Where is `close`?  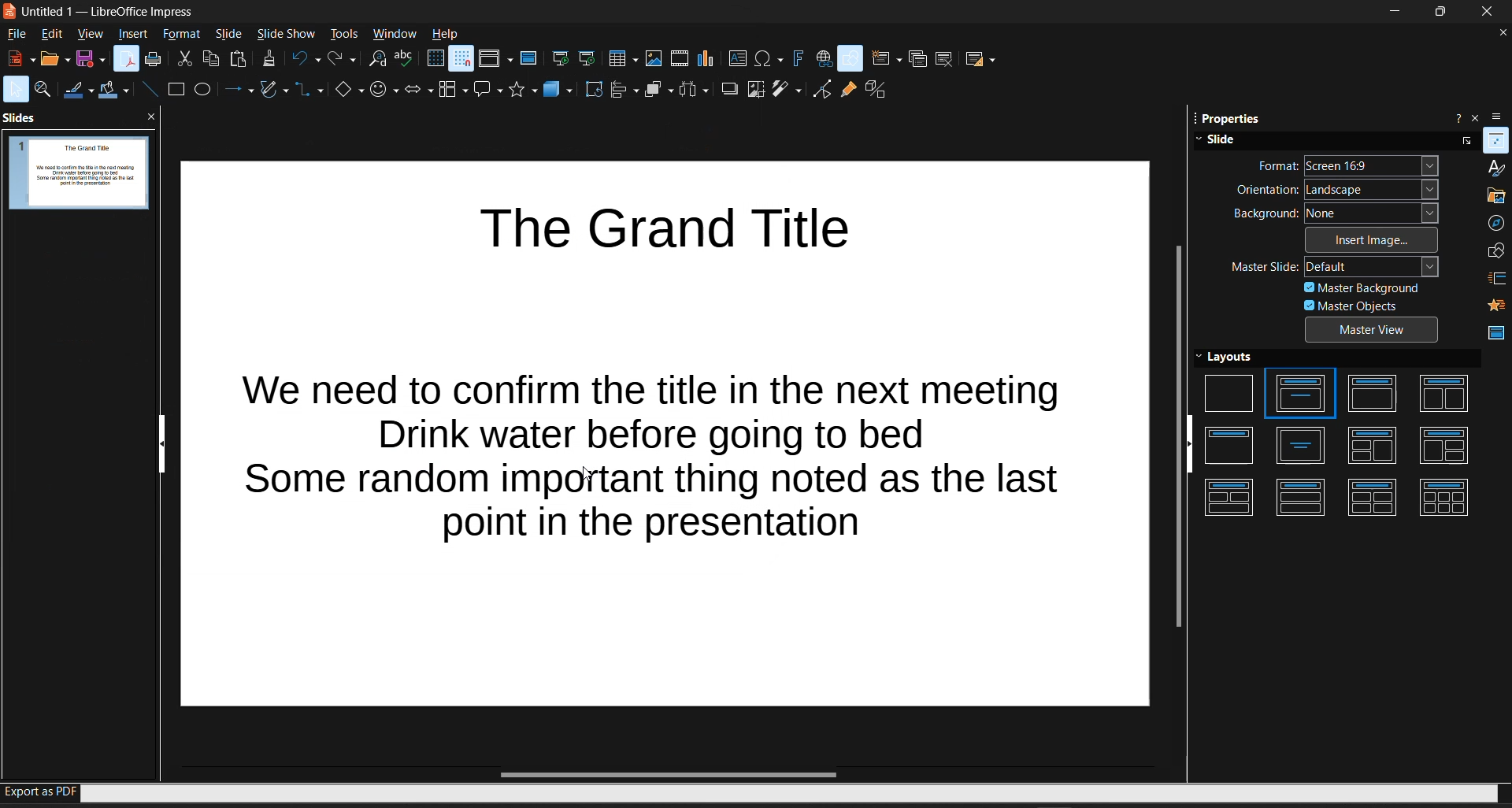
close is located at coordinates (1488, 12).